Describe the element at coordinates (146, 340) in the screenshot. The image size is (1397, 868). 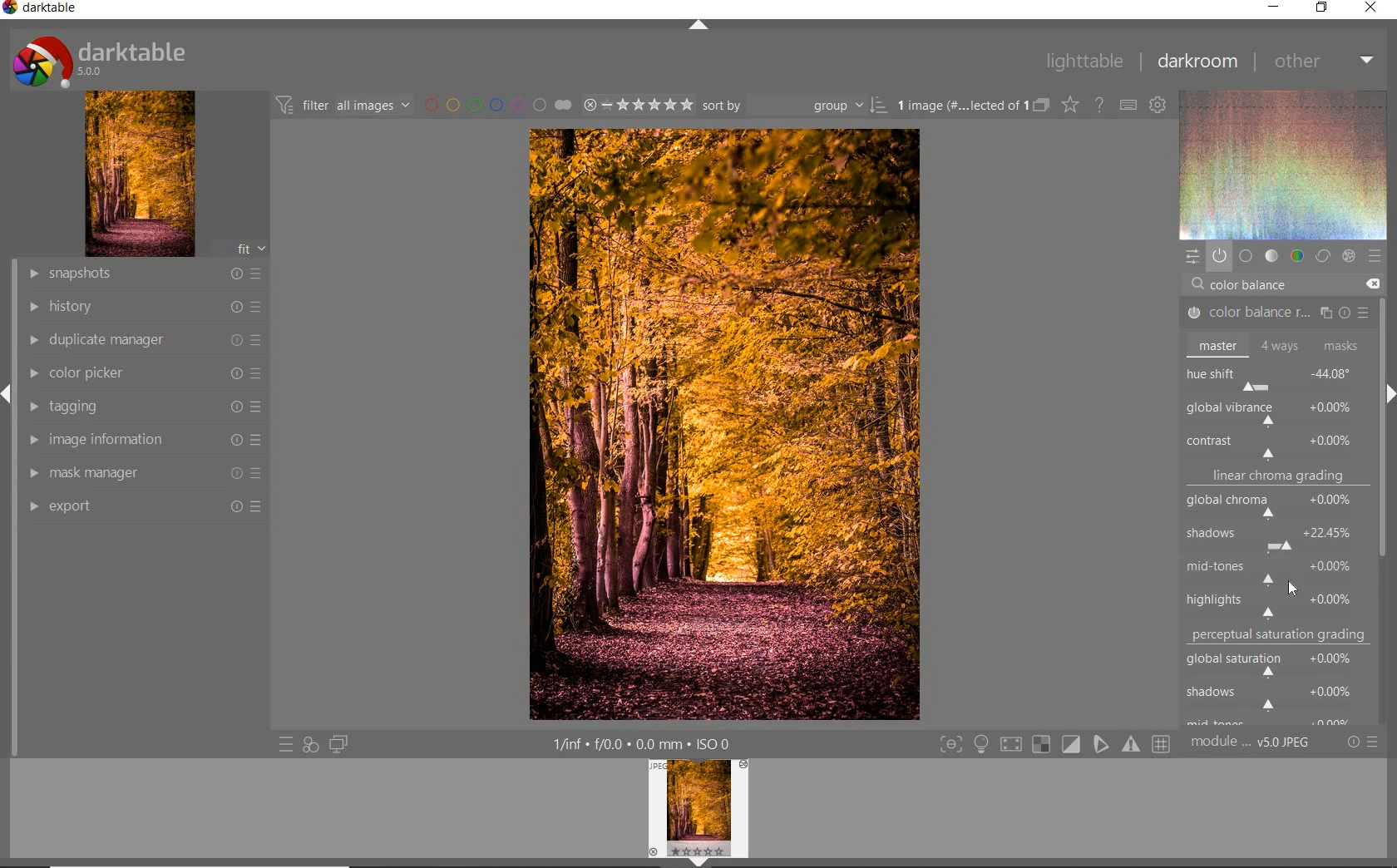
I see `duplicate manager` at that location.